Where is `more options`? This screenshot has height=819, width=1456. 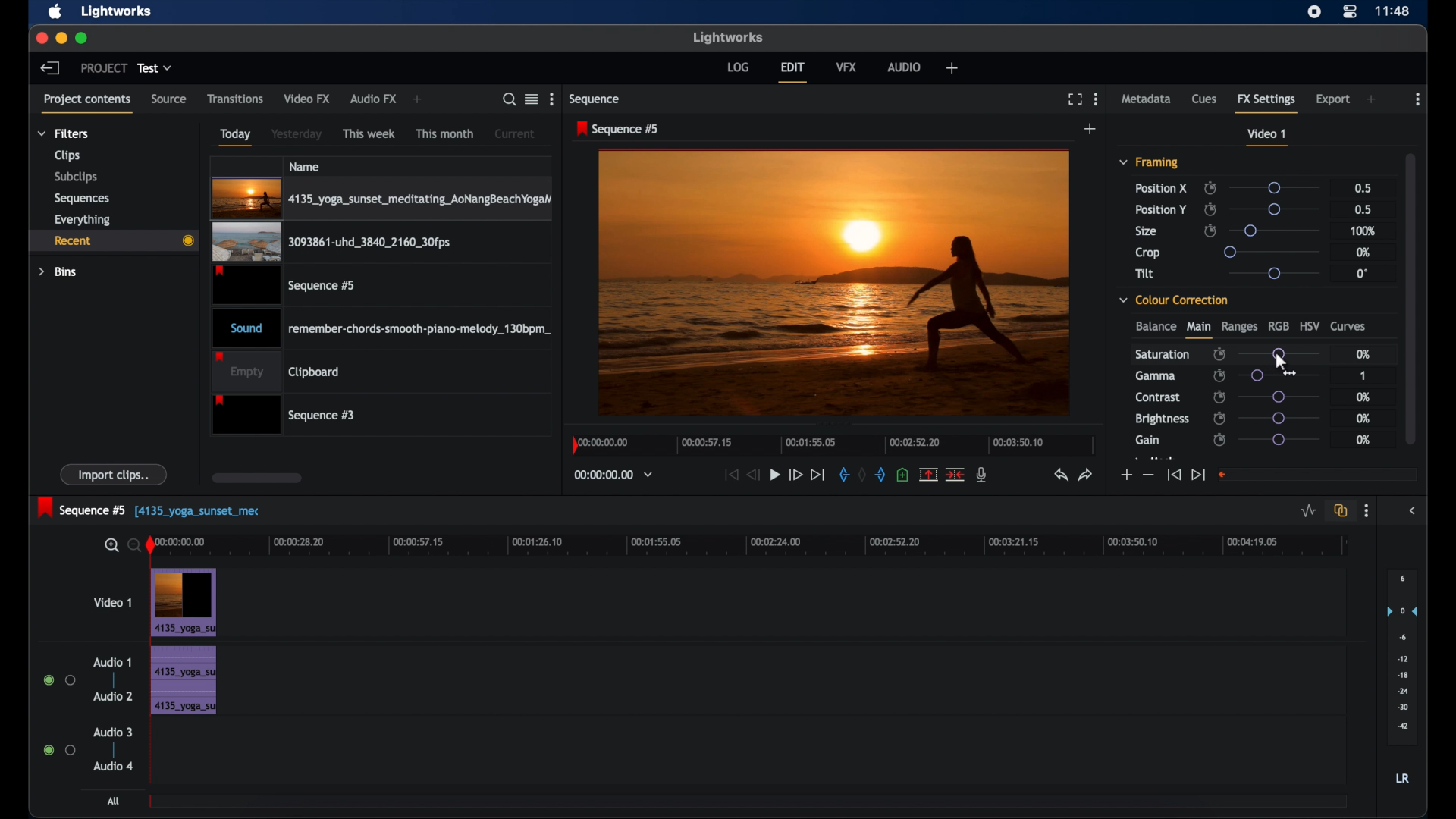 more options is located at coordinates (551, 99).